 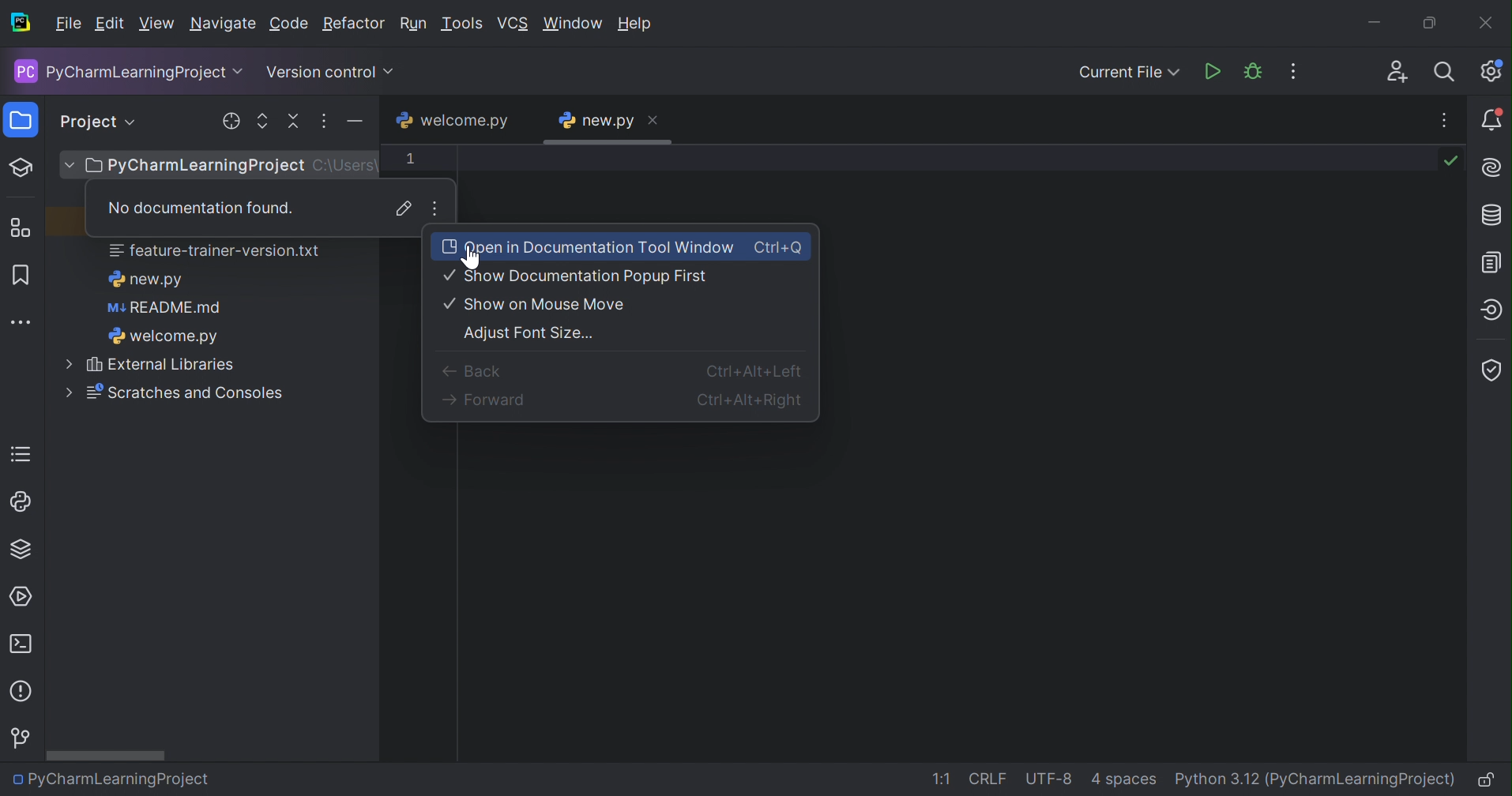 I want to click on Adjust Font Size..., so click(x=529, y=334).